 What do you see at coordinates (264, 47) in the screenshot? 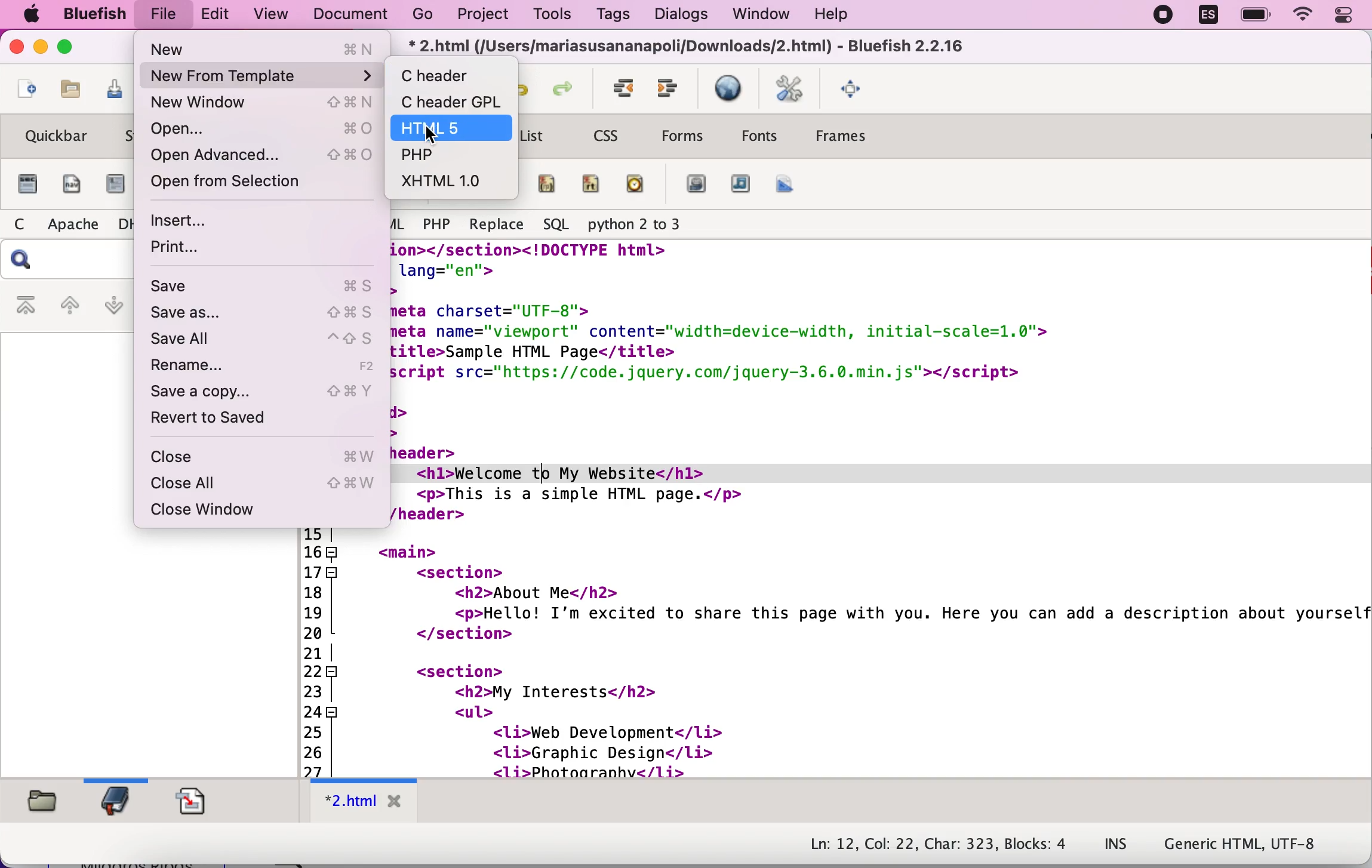
I see `new` at bounding box center [264, 47].